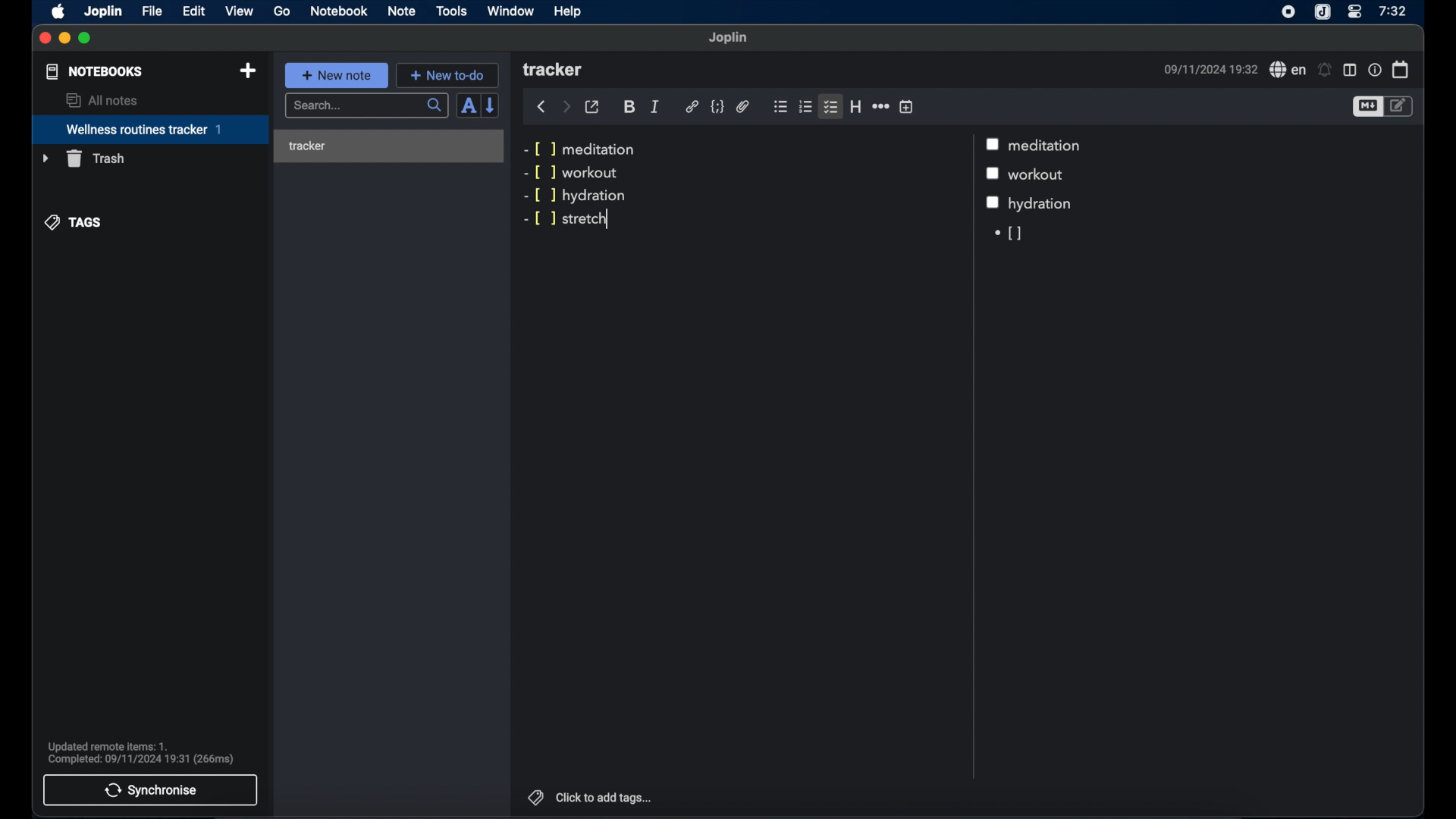 The height and width of the screenshot is (819, 1456). I want to click on code, so click(717, 107).